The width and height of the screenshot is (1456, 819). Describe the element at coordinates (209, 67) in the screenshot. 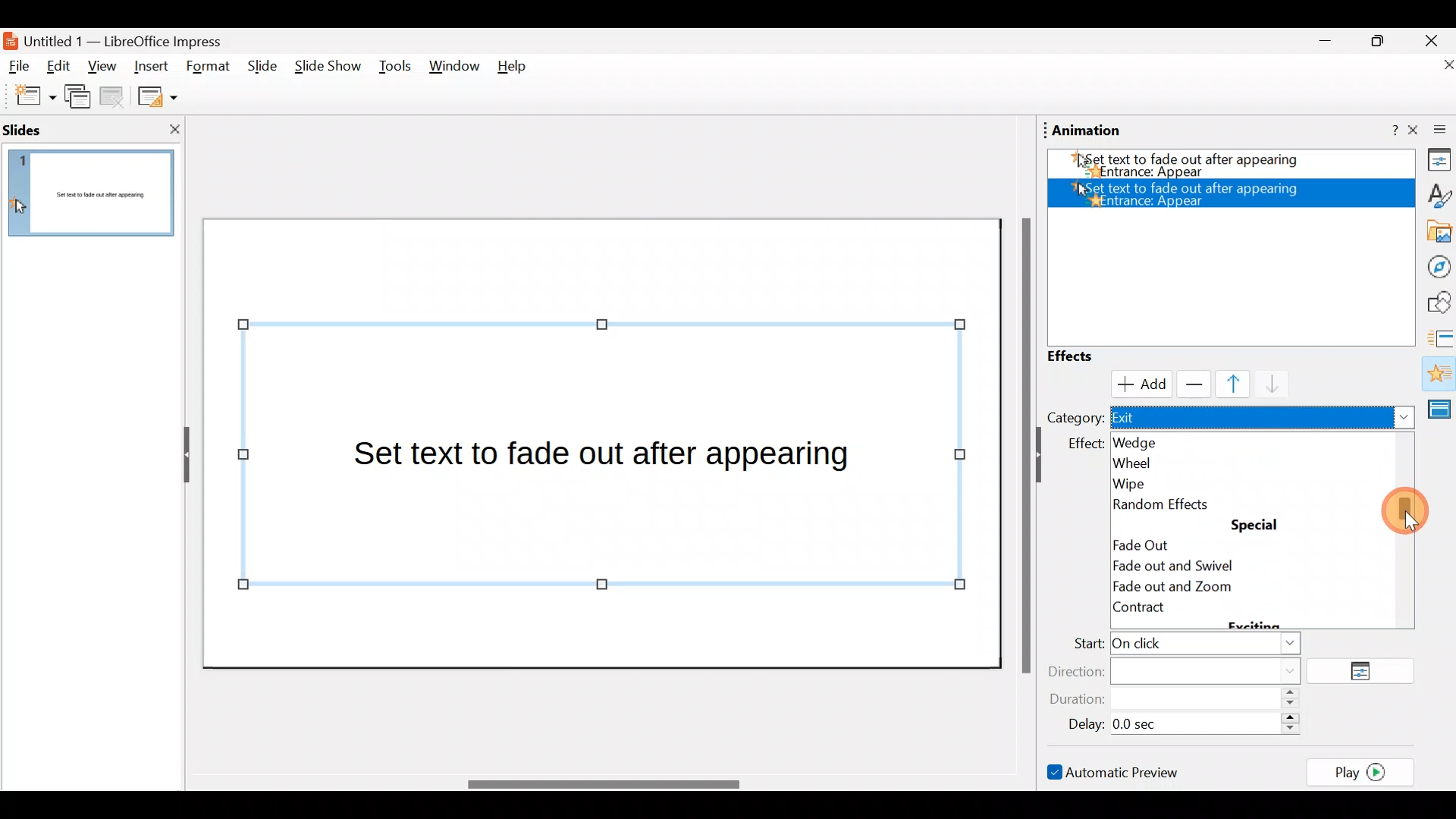

I see `Format` at that location.